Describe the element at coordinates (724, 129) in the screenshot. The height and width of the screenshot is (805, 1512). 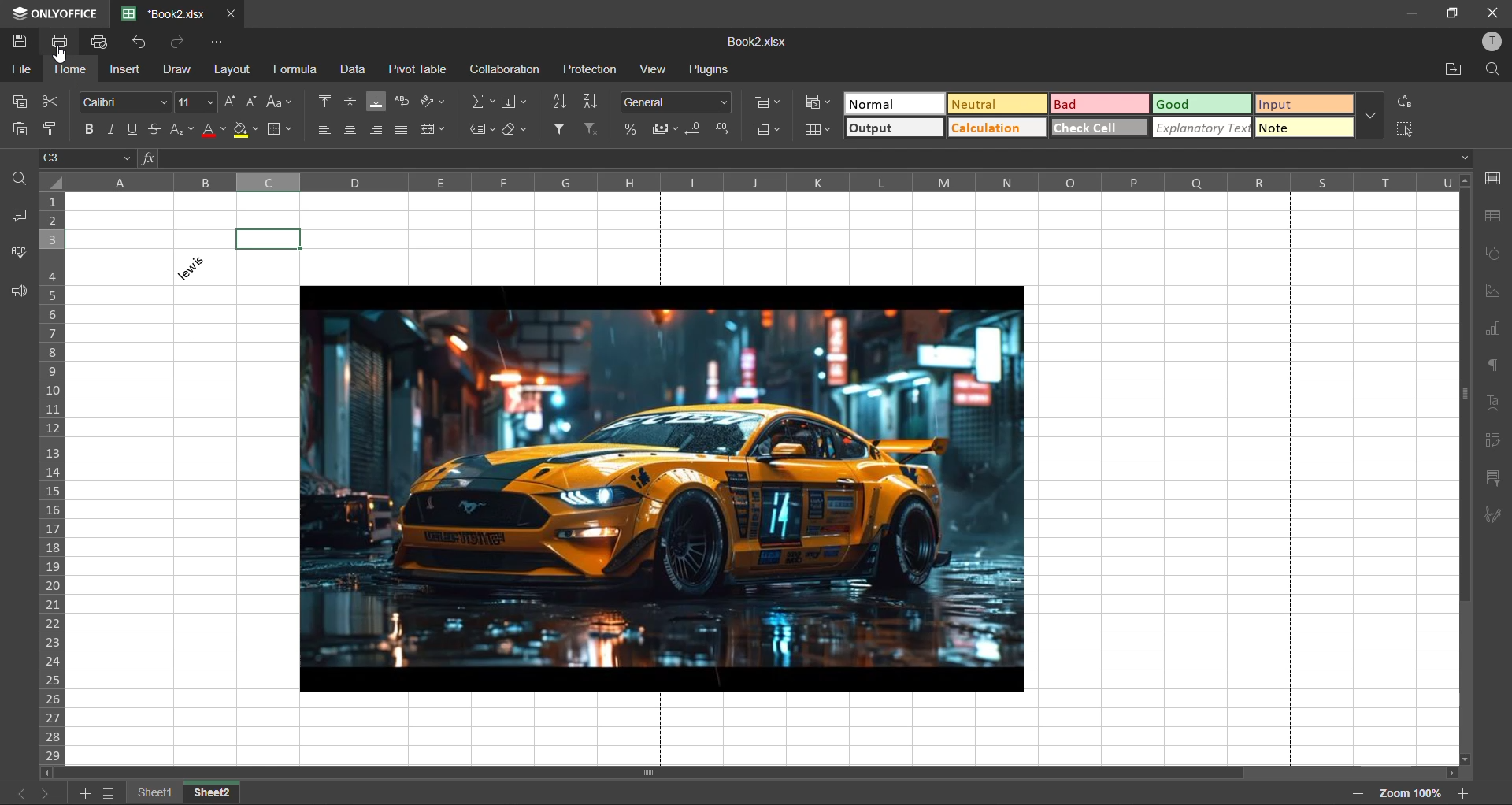
I see `increase decimal` at that location.